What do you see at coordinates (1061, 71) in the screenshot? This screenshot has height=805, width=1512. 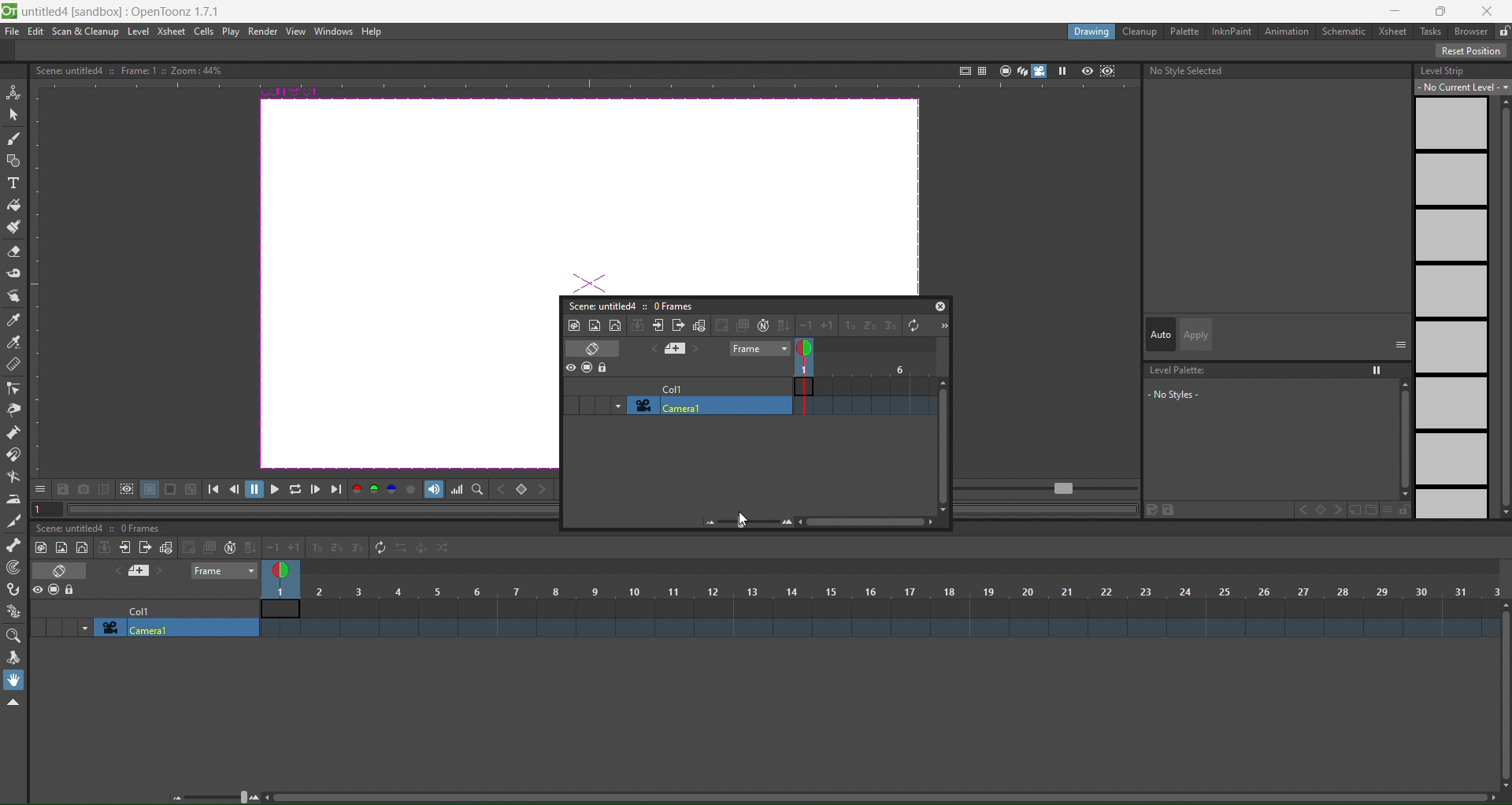 I see `freeze` at bounding box center [1061, 71].